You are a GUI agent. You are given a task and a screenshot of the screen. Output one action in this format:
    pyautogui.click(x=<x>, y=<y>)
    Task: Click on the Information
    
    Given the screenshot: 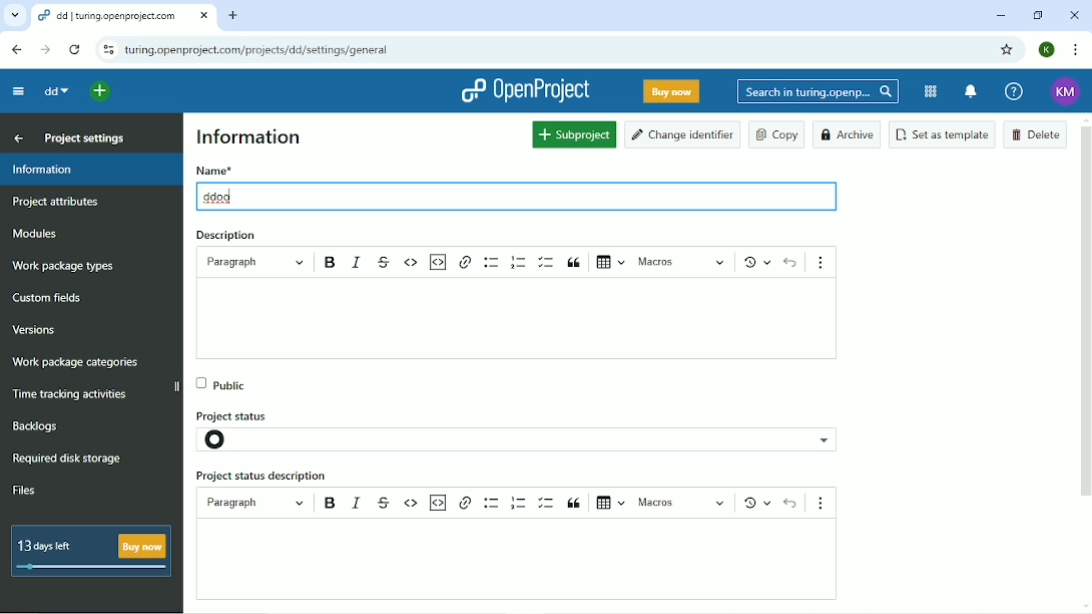 What is the action you would take?
    pyautogui.click(x=91, y=171)
    